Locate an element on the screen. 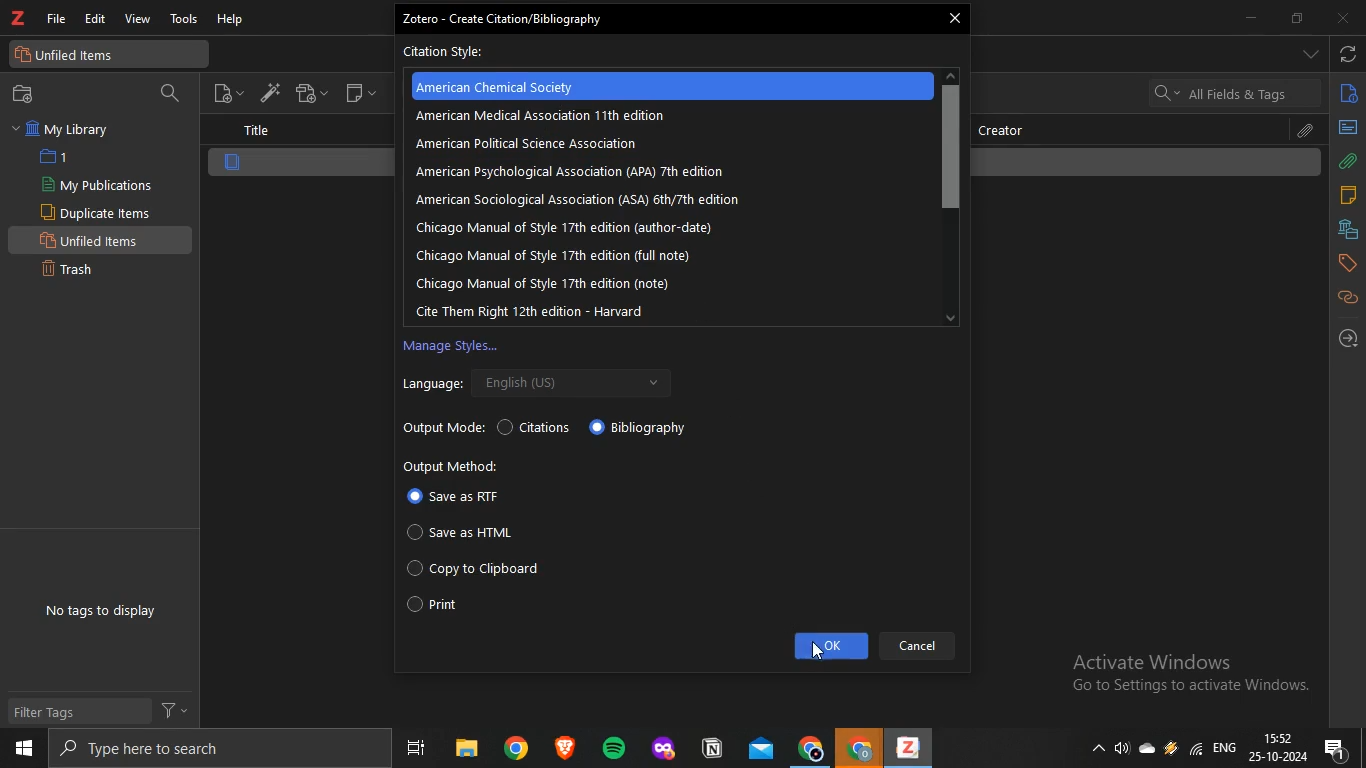 Image resolution: width=1366 pixels, height=768 pixels. chrome is located at coordinates (516, 747).